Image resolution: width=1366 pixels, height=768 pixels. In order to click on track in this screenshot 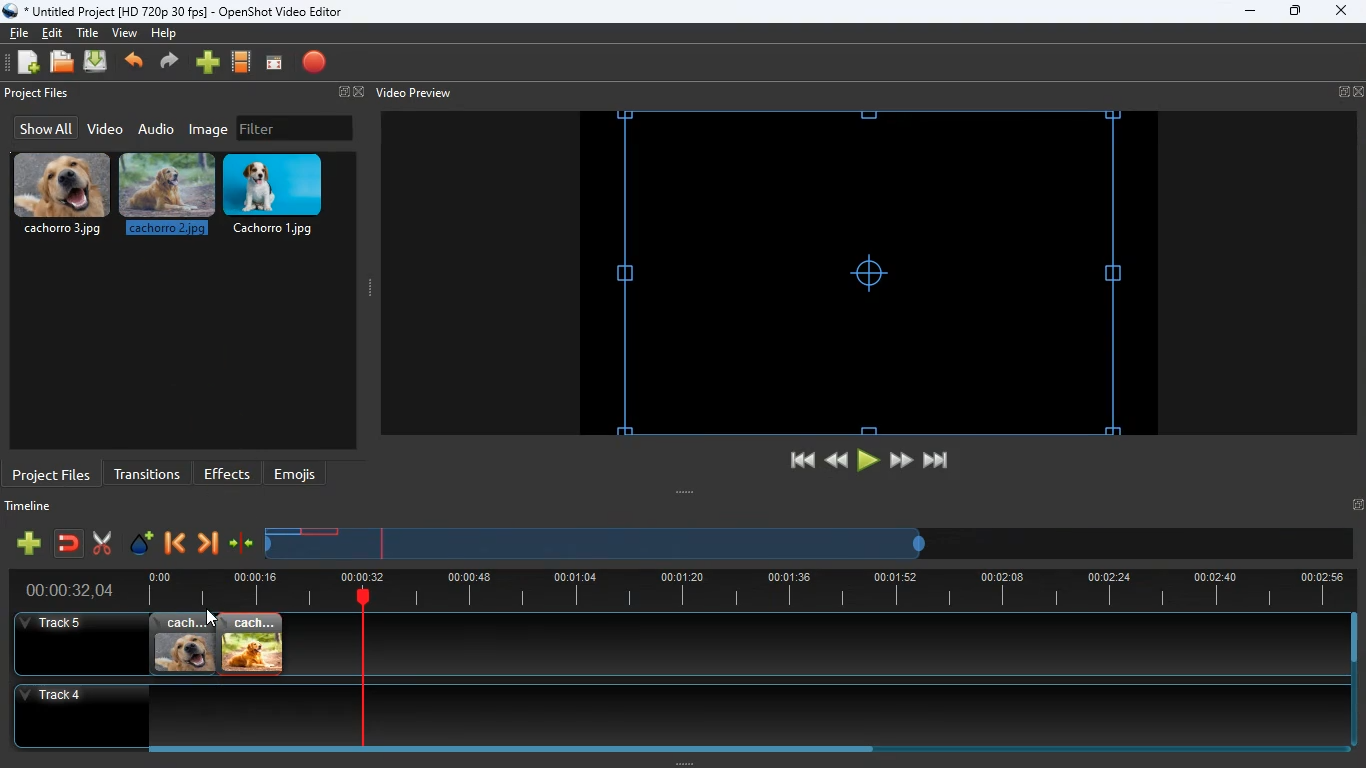, I will do `click(791, 644)`.